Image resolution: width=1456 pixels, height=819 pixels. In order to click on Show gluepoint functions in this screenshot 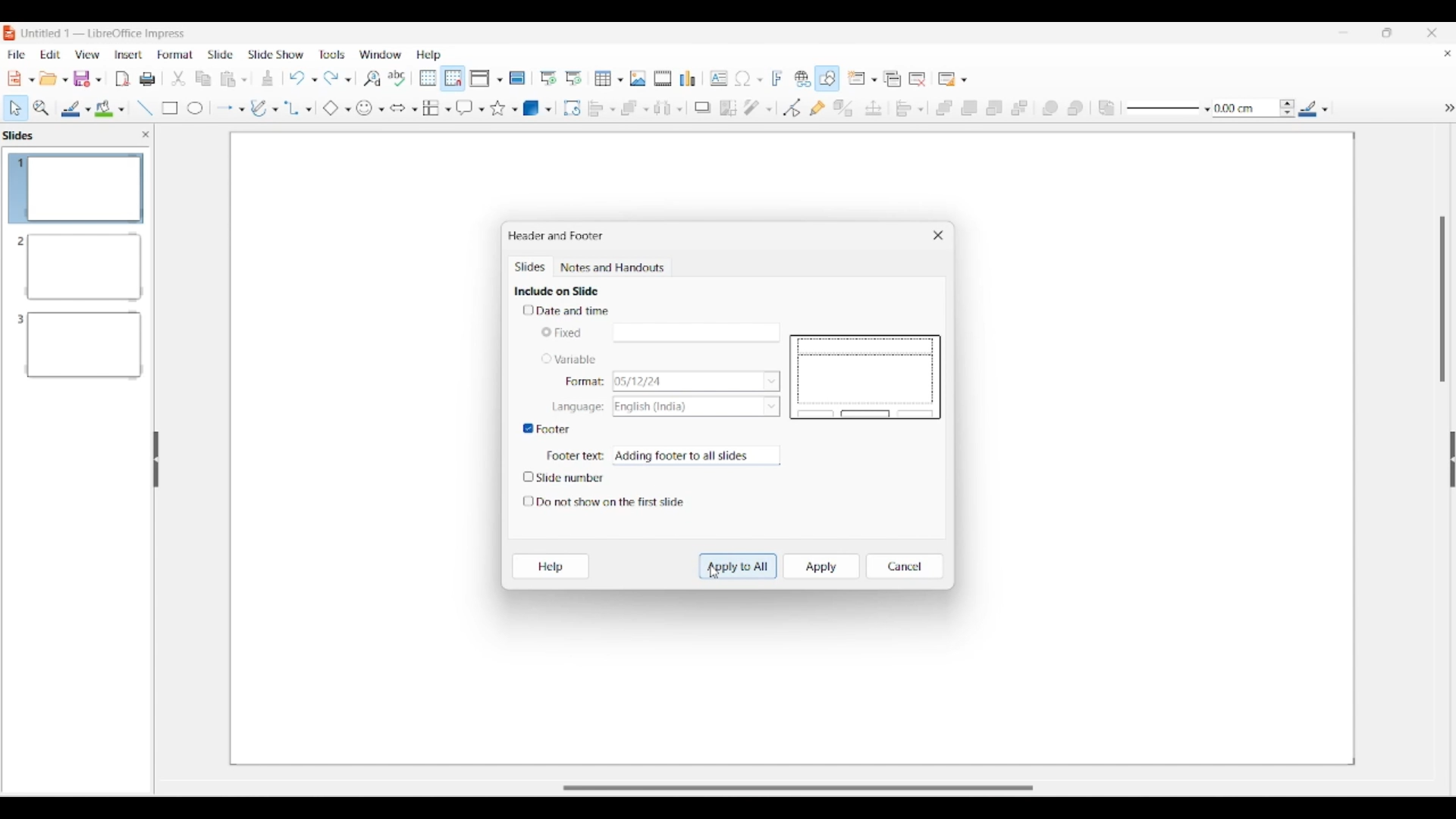, I will do `click(817, 108)`.